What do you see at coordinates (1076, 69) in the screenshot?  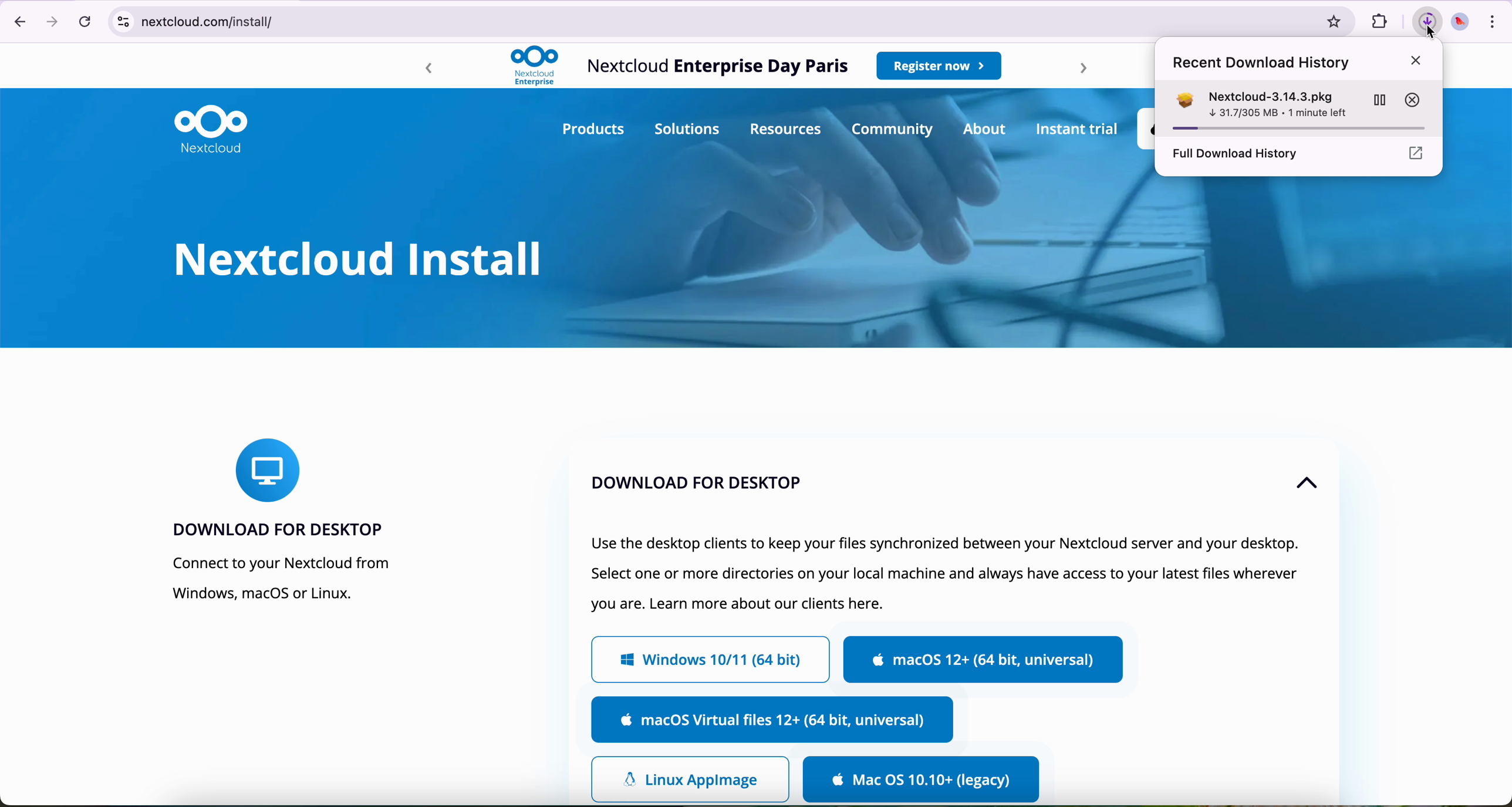 I see `forward` at bounding box center [1076, 69].